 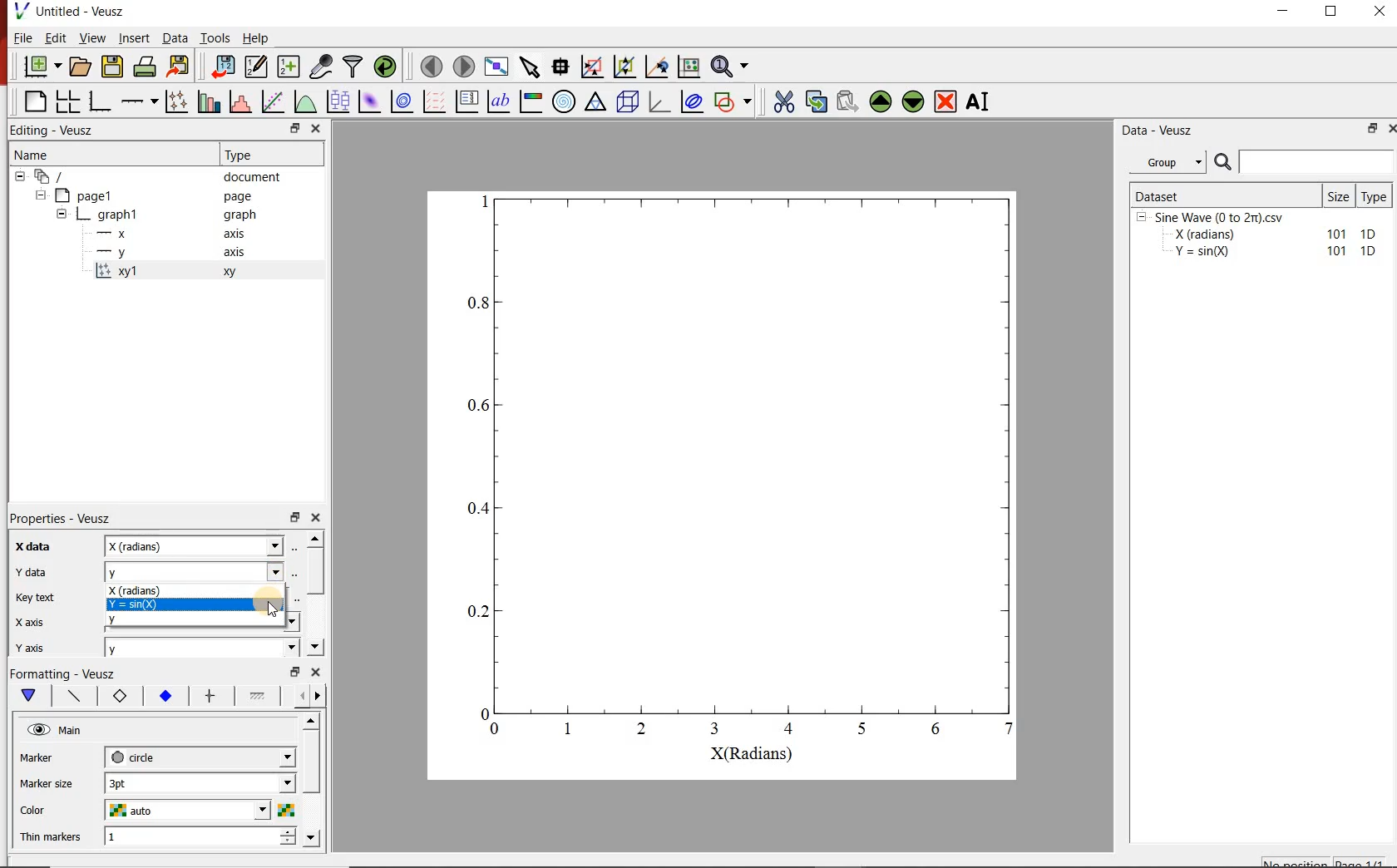 What do you see at coordinates (689, 66) in the screenshot?
I see `click to reset graphs` at bounding box center [689, 66].